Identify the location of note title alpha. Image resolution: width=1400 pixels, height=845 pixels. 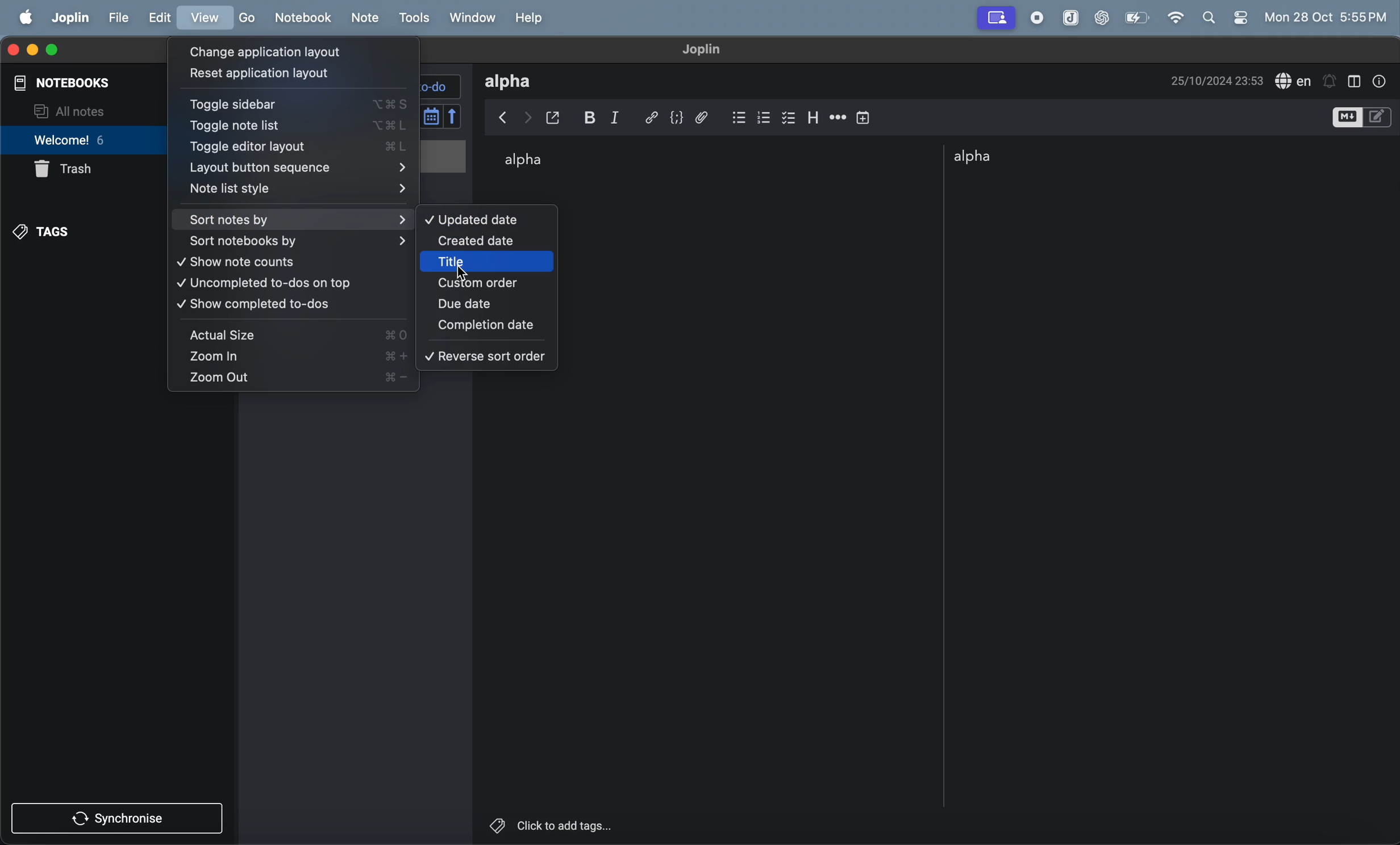
(516, 81).